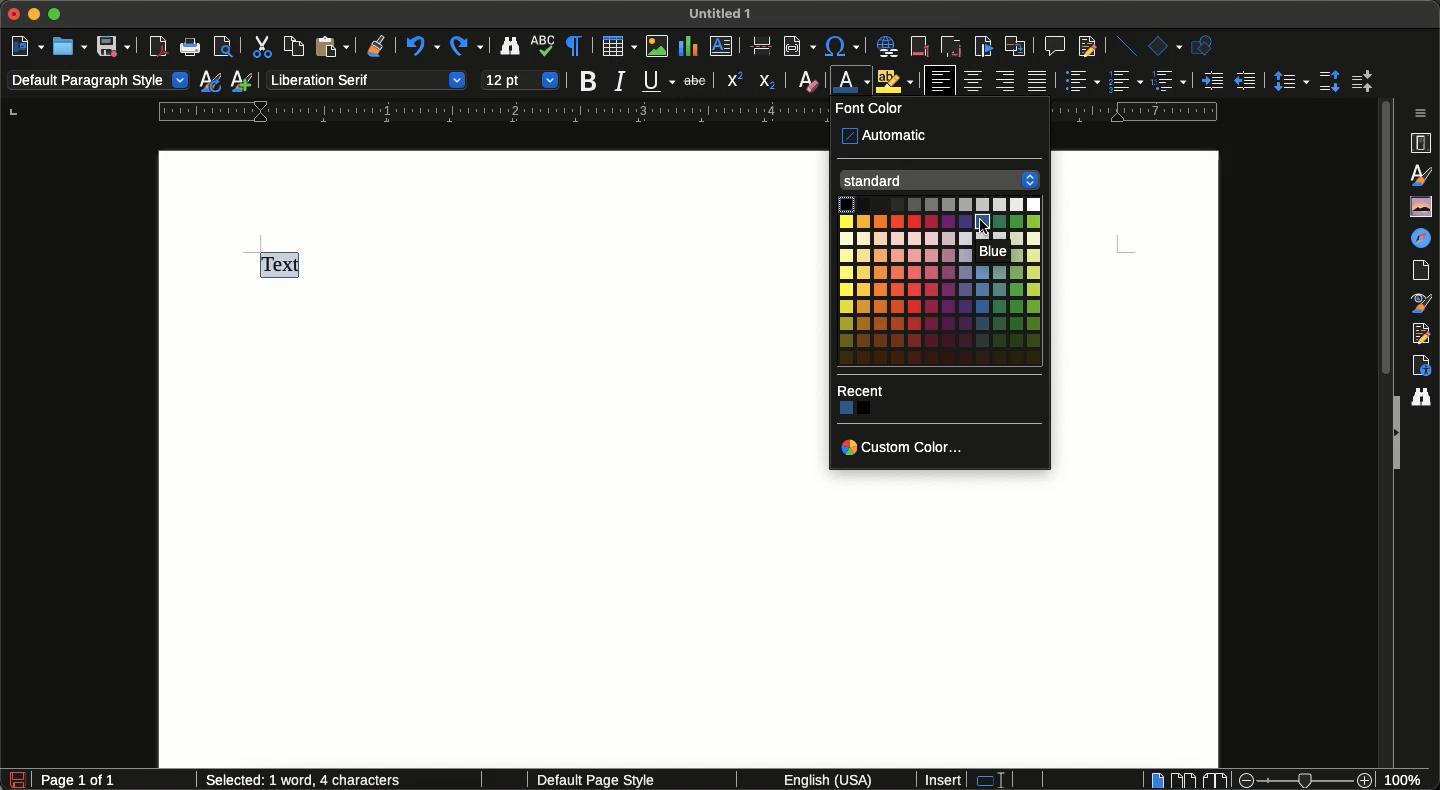 This screenshot has height=790, width=1440. Describe the element at coordinates (1360, 83) in the screenshot. I see `Decrease paragraph spacing` at that location.